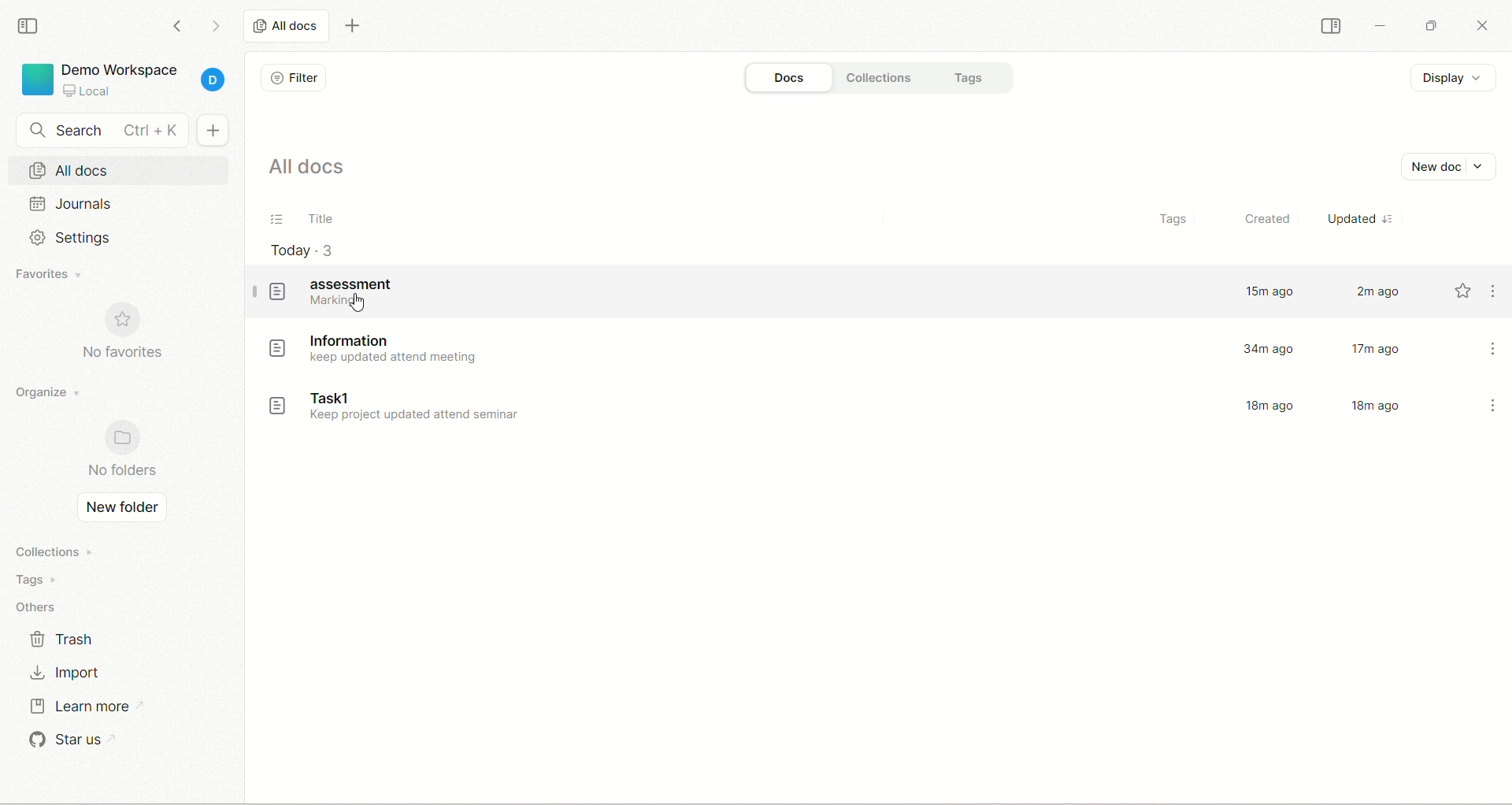  Describe the element at coordinates (1377, 348) in the screenshot. I see `17m ago` at that location.